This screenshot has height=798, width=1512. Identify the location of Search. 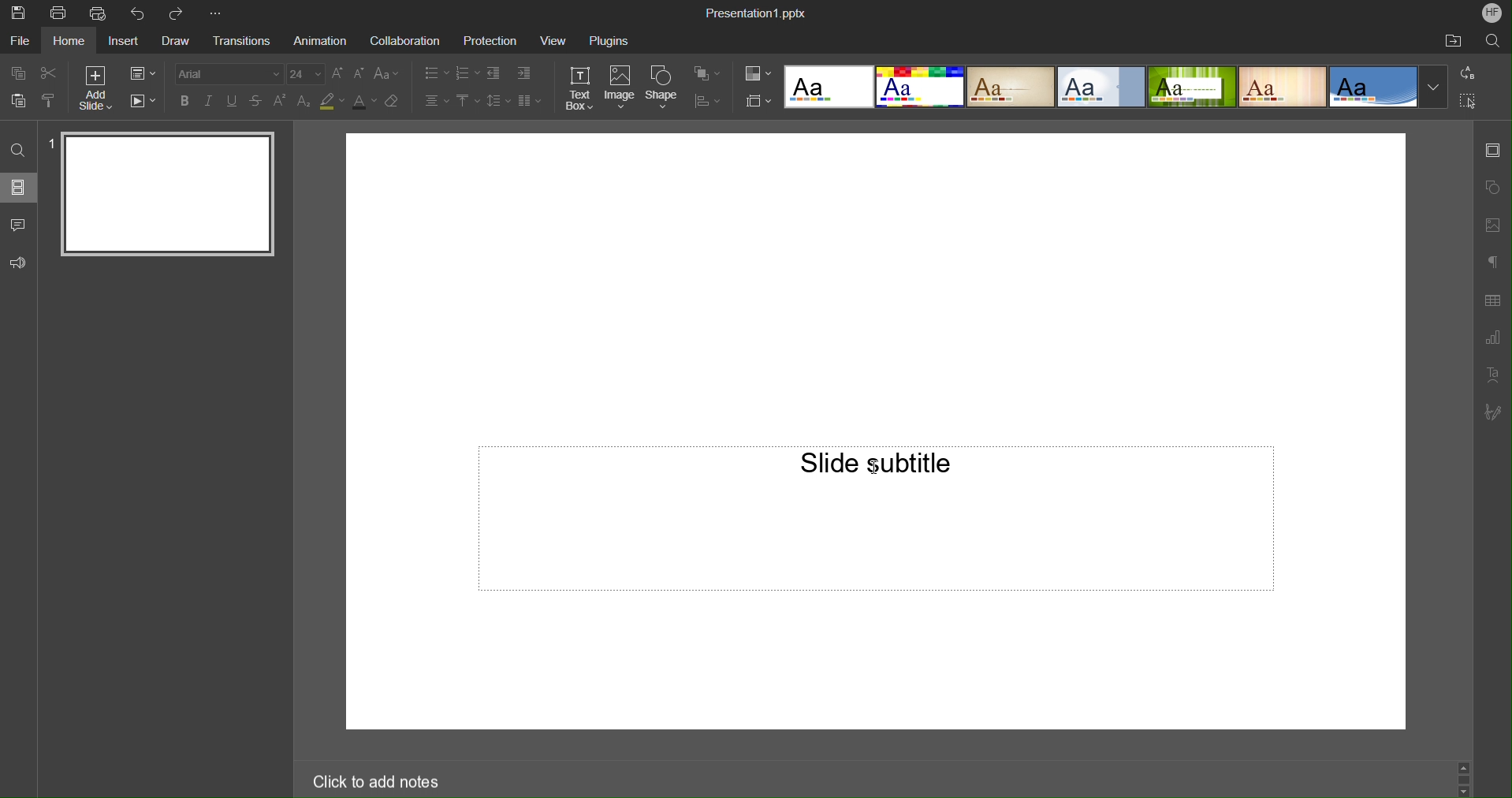
(1492, 39).